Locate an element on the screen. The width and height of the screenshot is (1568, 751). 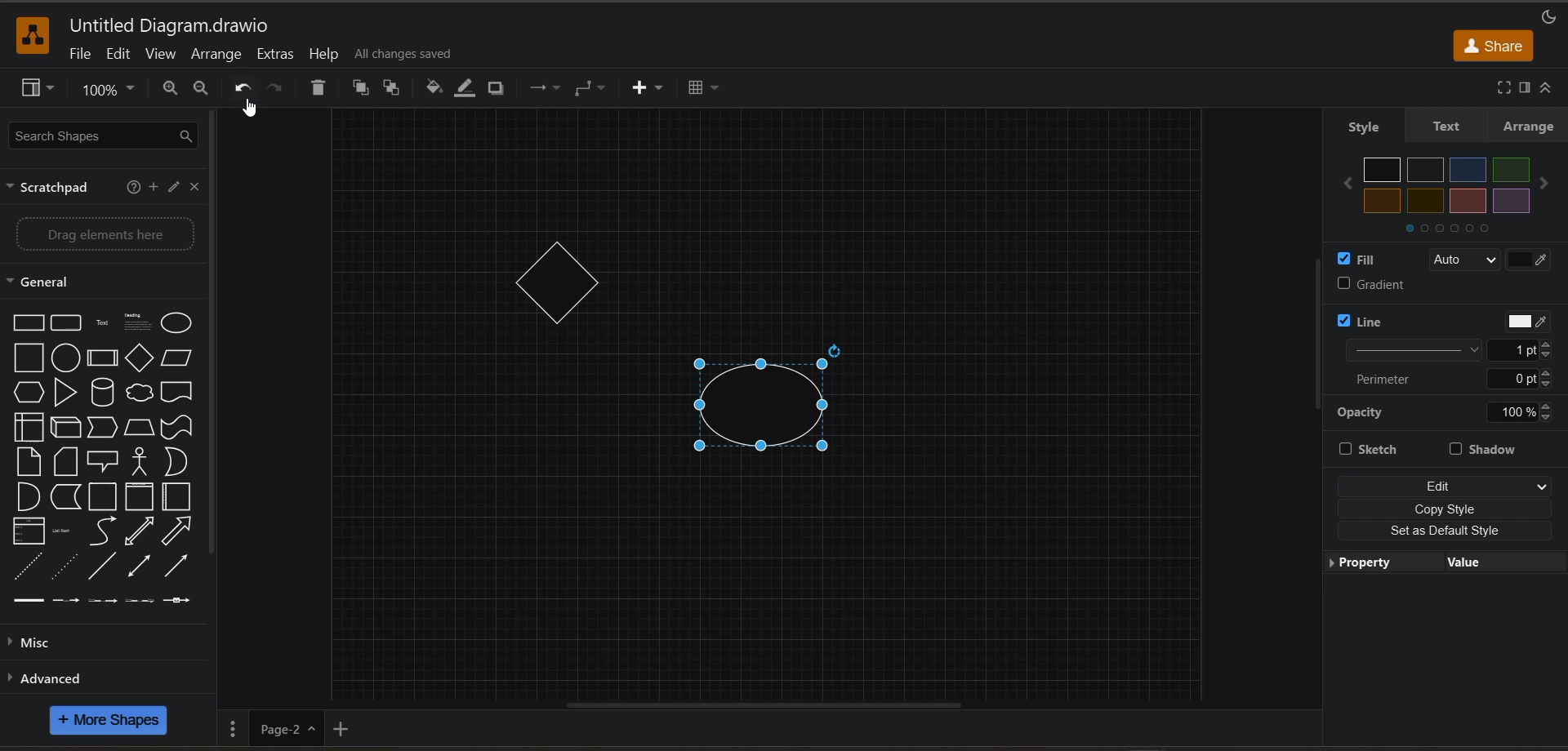
Directional Connector is located at coordinates (176, 569).